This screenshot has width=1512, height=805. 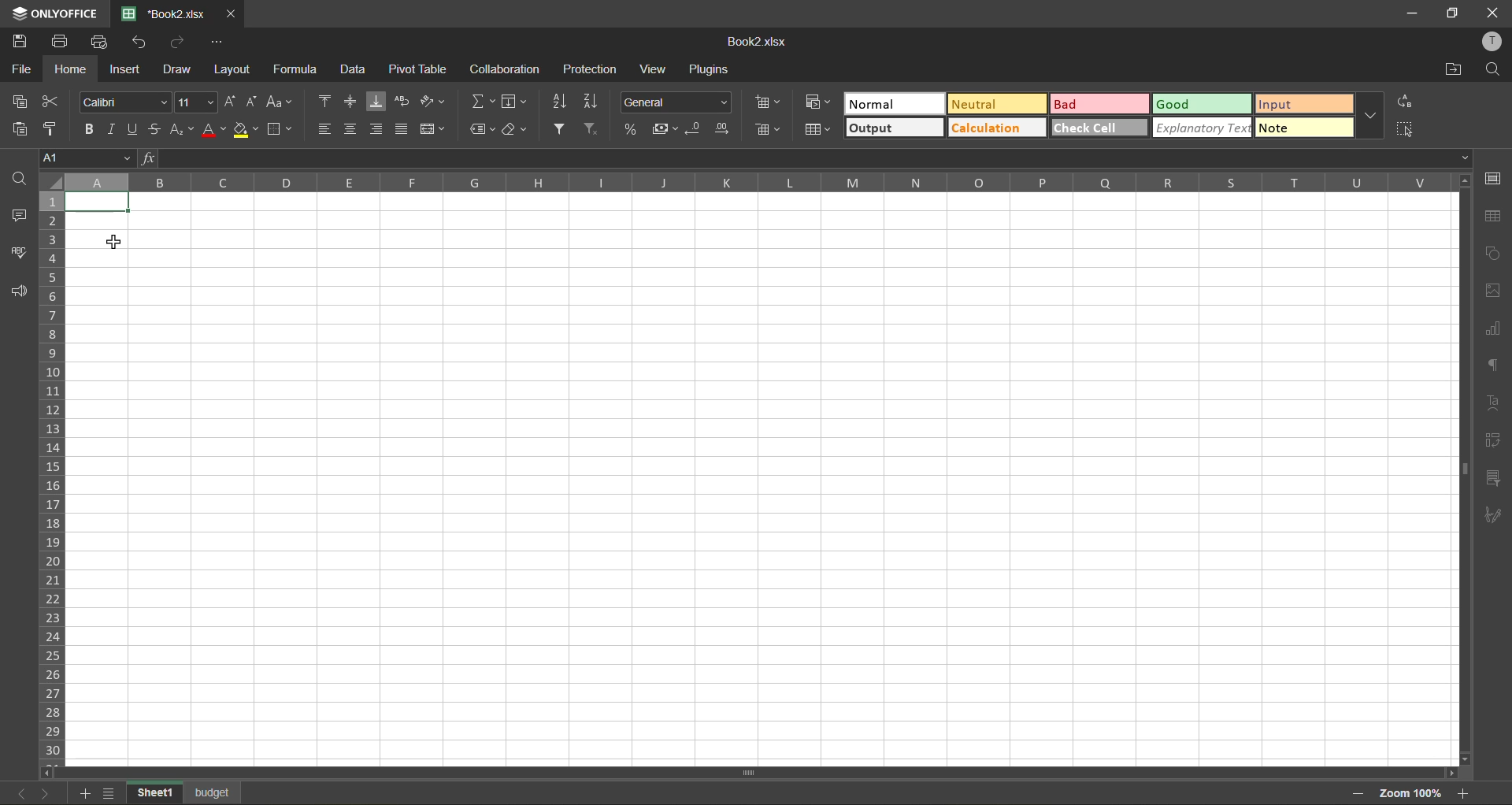 What do you see at coordinates (213, 792) in the screenshot?
I see `sheet` at bounding box center [213, 792].